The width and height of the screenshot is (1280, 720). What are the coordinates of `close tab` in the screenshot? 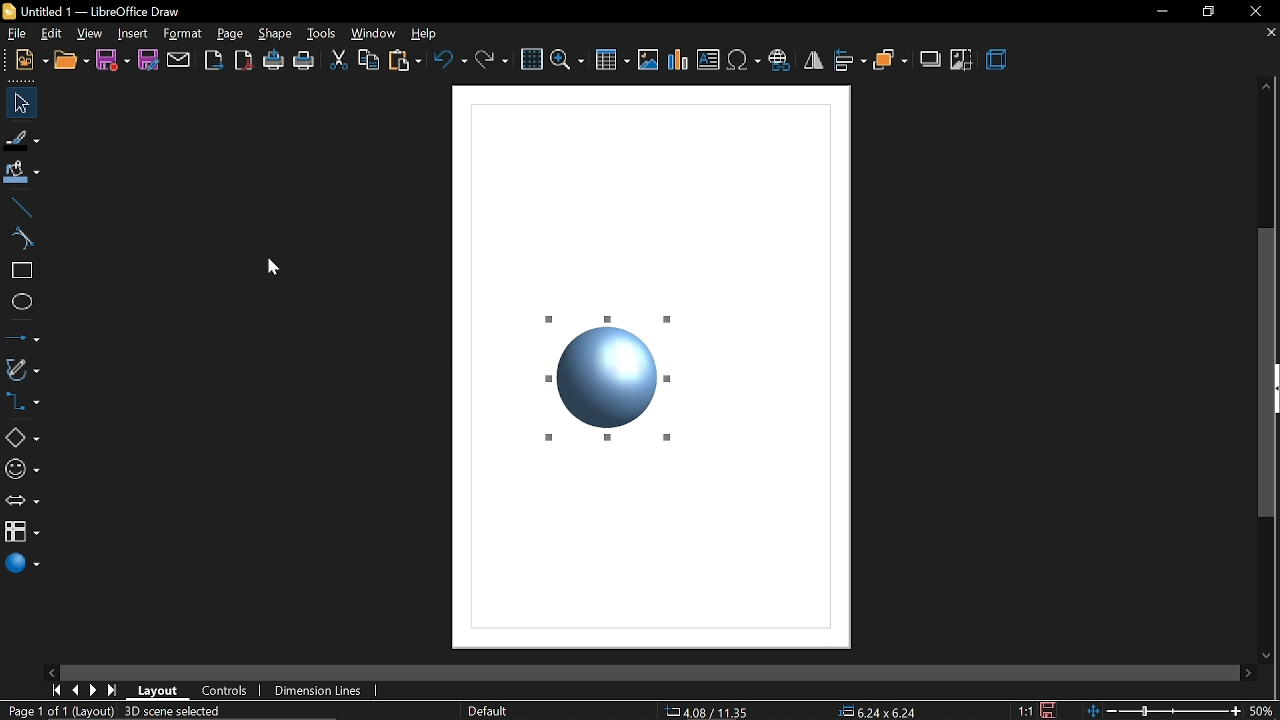 It's located at (1268, 33).